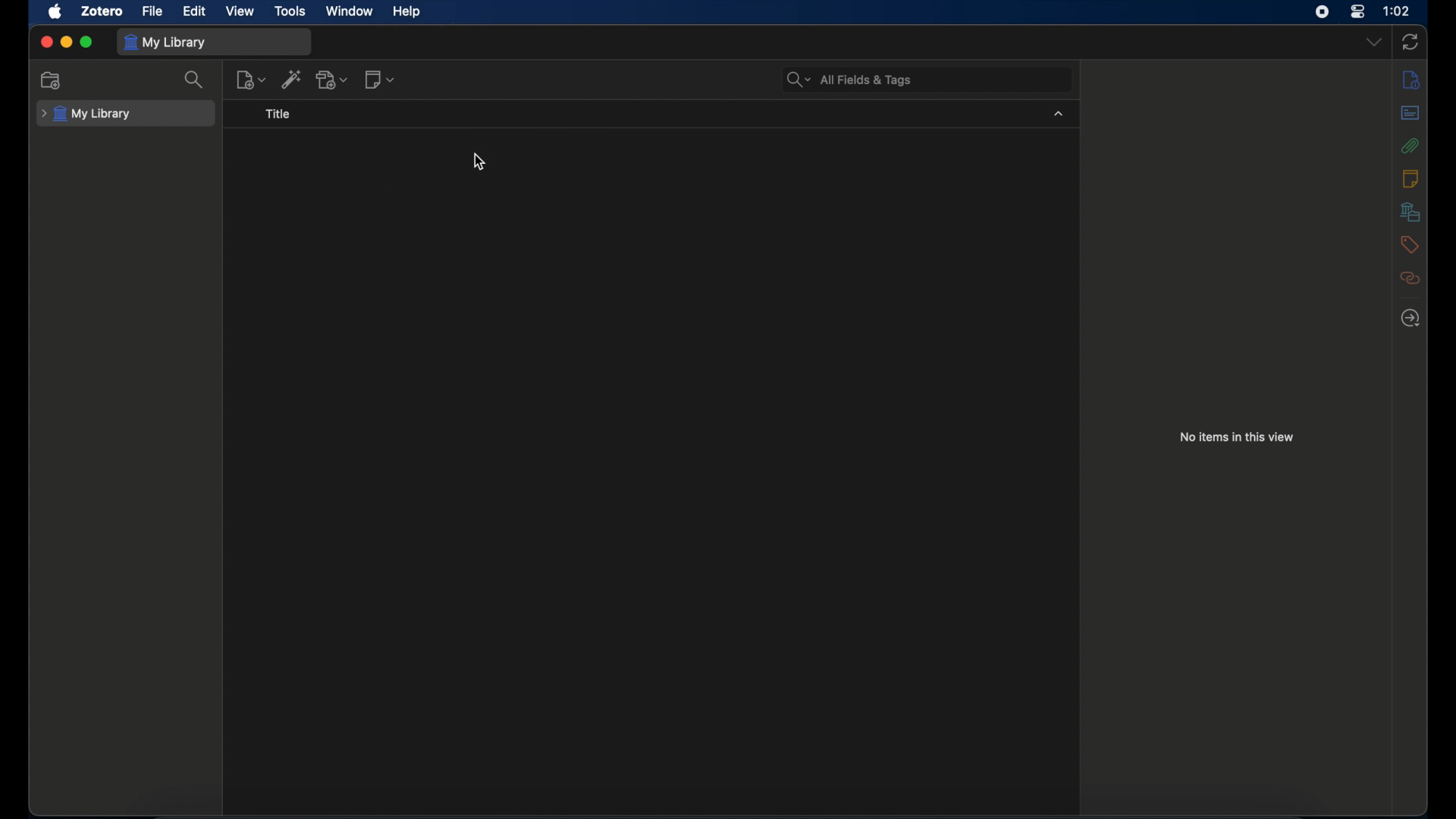 This screenshot has height=819, width=1456. Describe the element at coordinates (55, 12) in the screenshot. I see `apple` at that location.